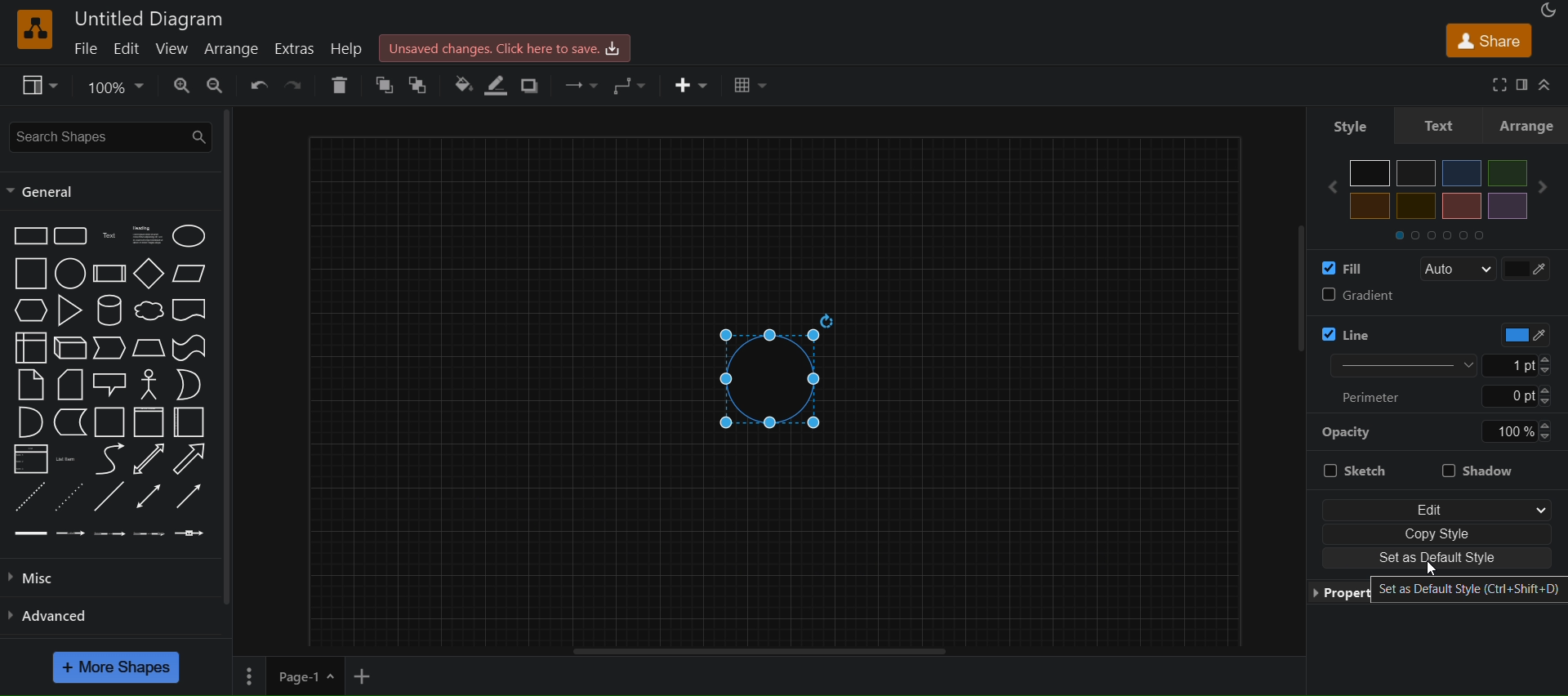 This screenshot has height=696, width=1568. I want to click on copy style, so click(1437, 534).